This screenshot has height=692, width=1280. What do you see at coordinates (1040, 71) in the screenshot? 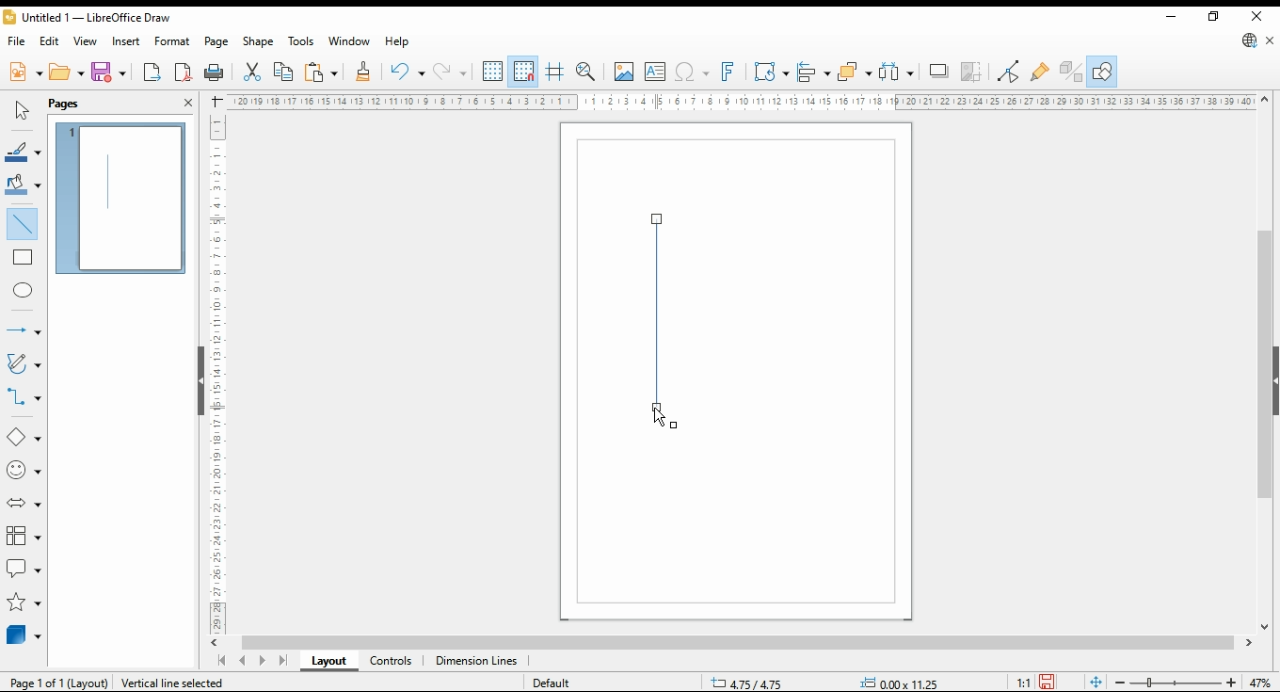
I see `show gluepoint functions` at bounding box center [1040, 71].